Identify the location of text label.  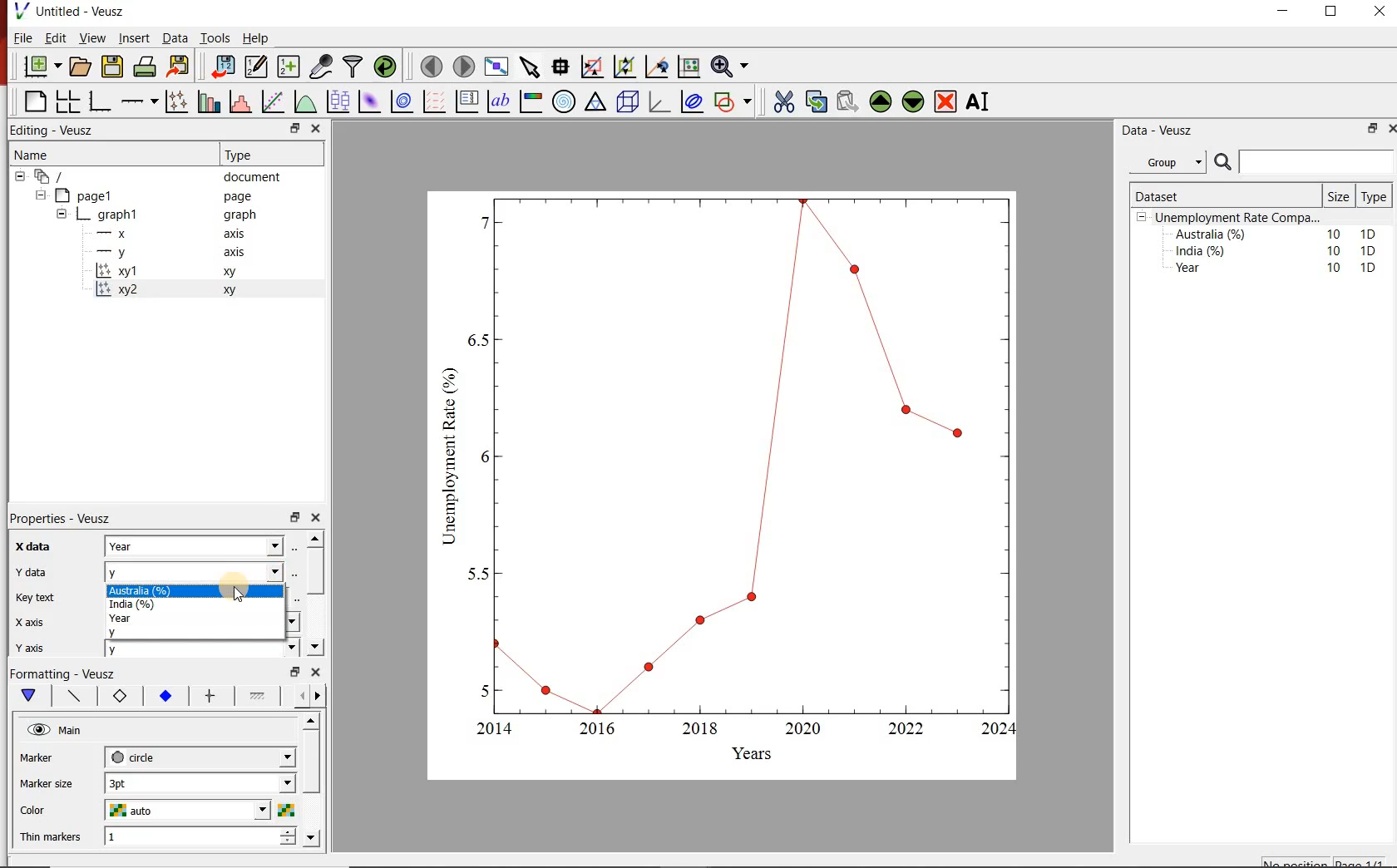
(499, 101).